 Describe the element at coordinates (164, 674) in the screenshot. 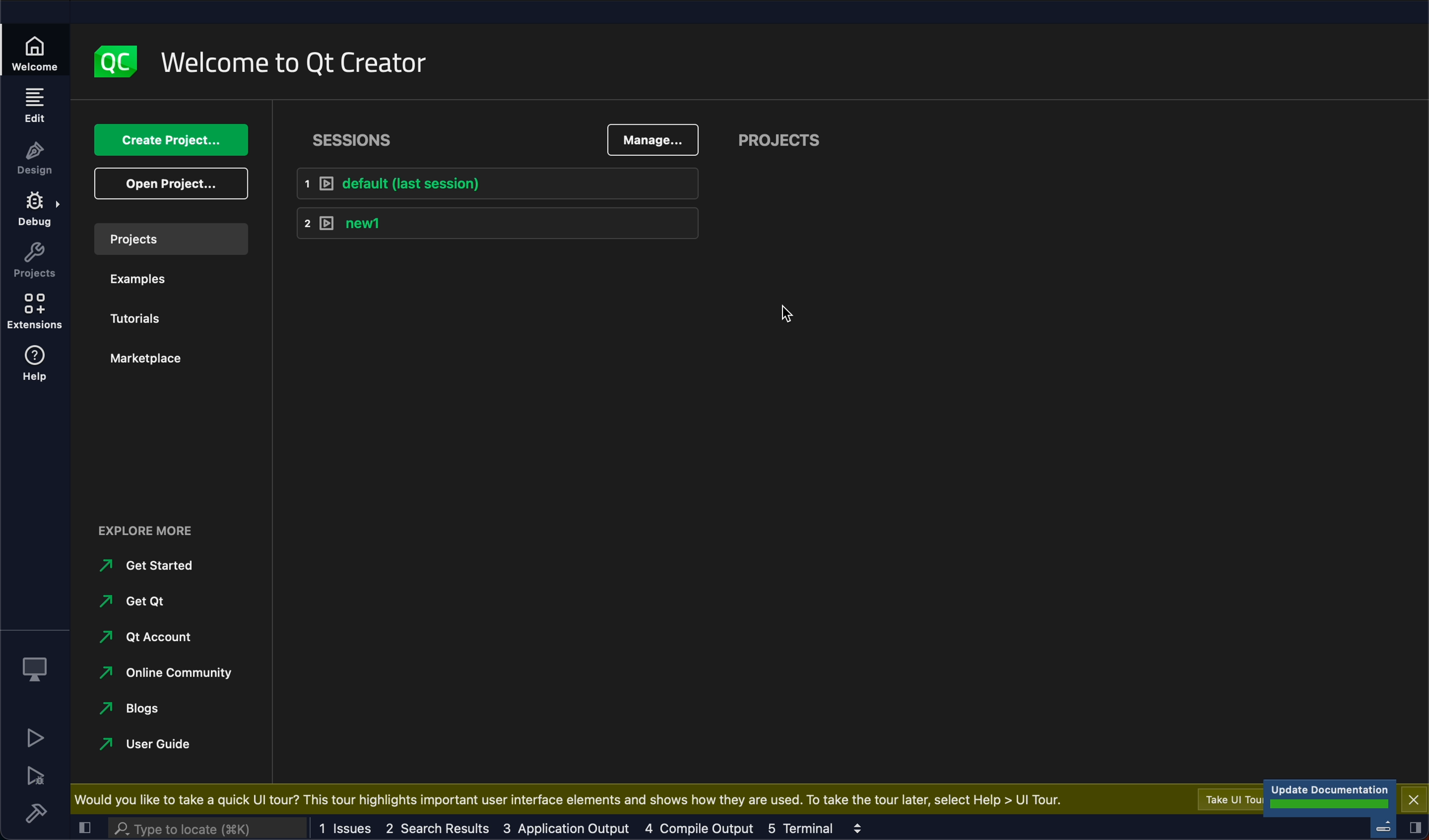

I see `online` at that location.